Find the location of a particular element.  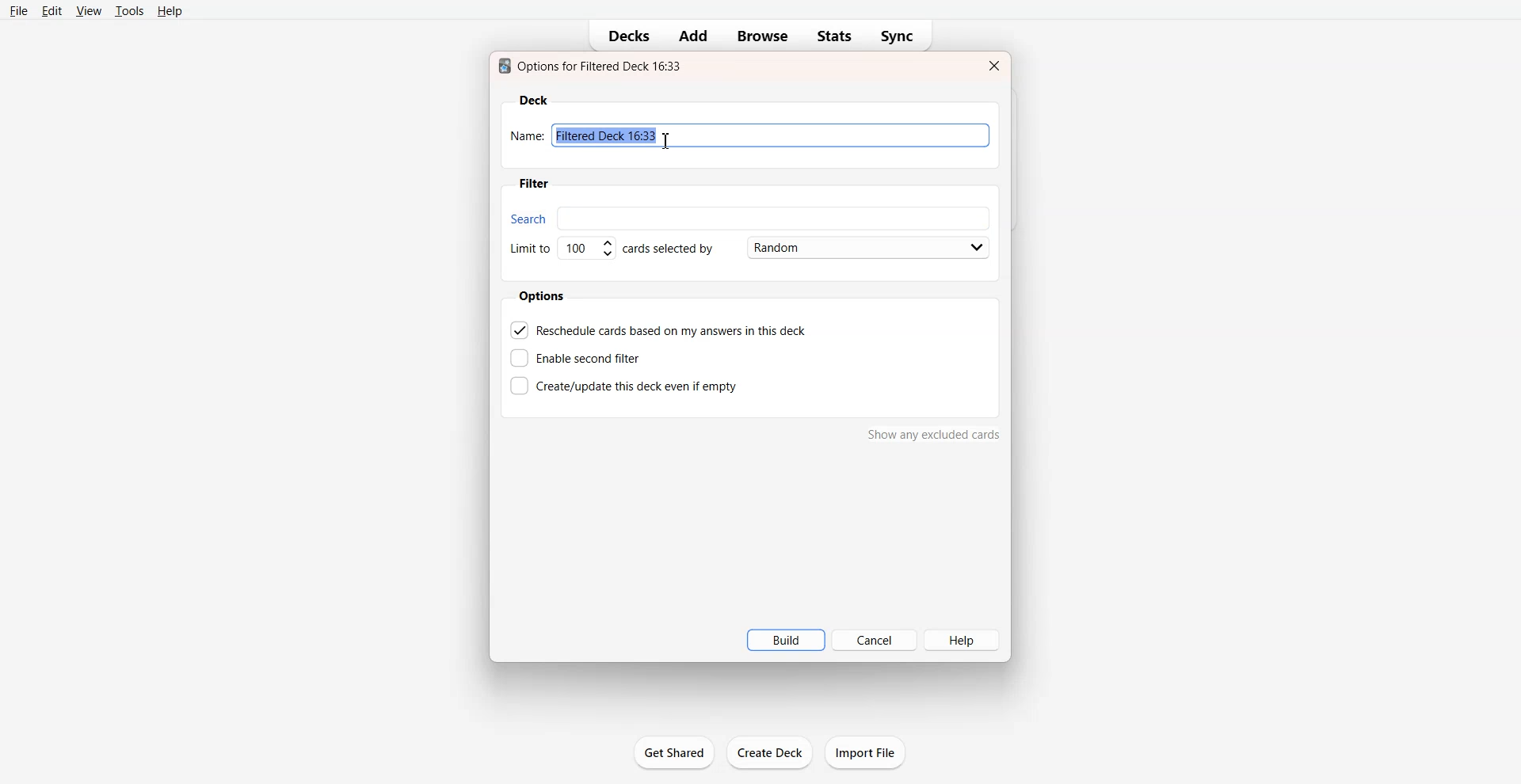

File is located at coordinates (19, 10).